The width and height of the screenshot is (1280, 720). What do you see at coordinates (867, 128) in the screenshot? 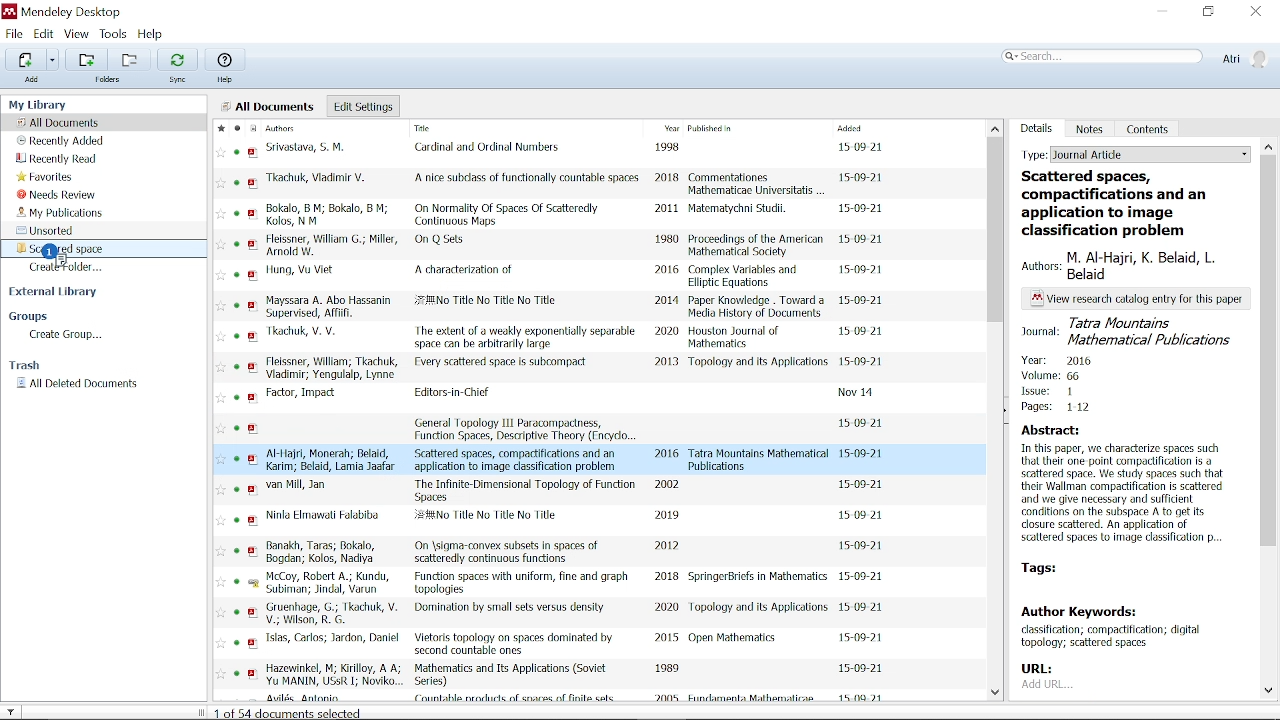
I see `Added ` at bounding box center [867, 128].